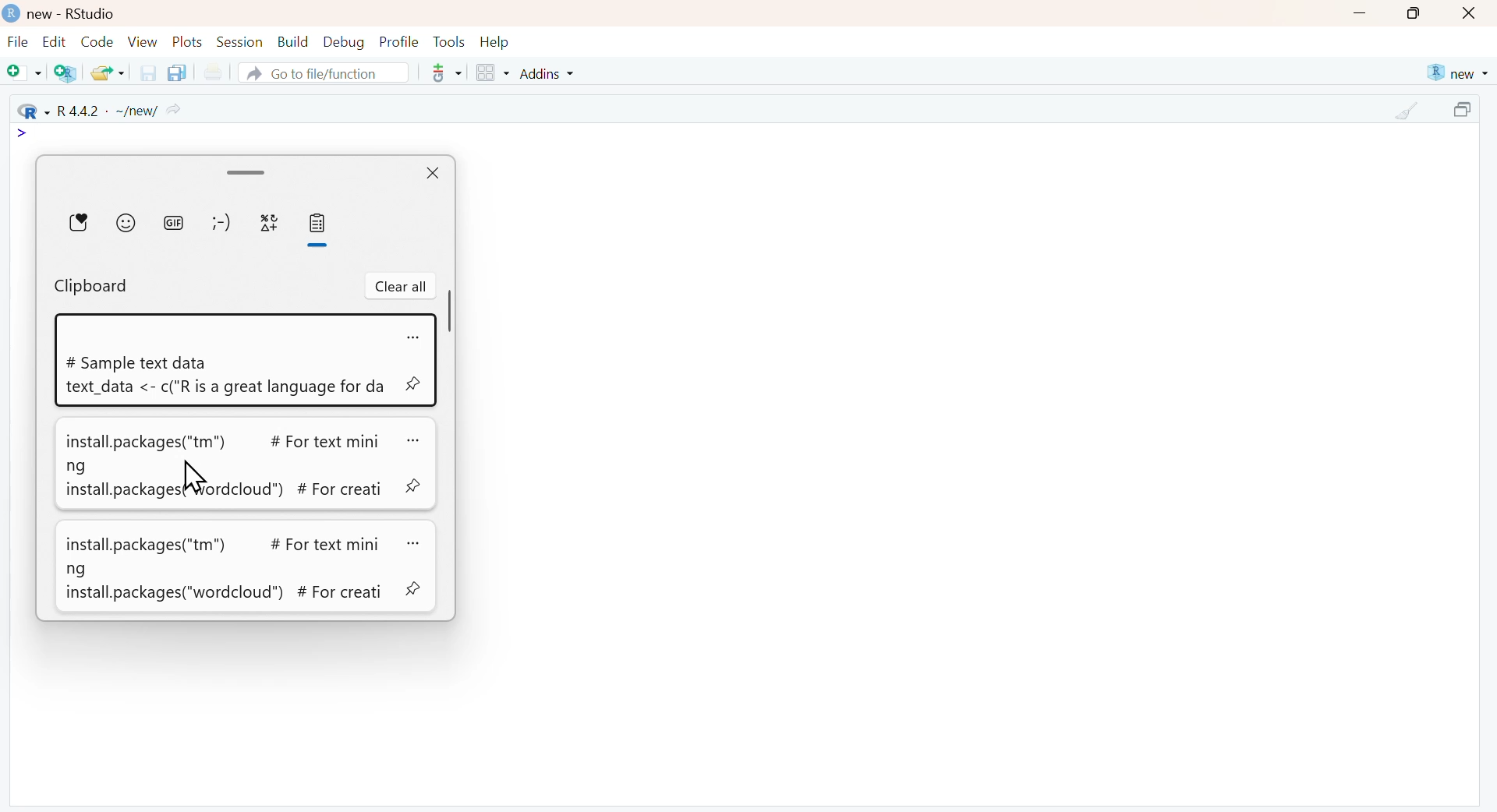 The height and width of the screenshot is (812, 1497). What do you see at coordinates (1456, 72) in the screenshot?
I see `new` at bounding box center [1456, 72].